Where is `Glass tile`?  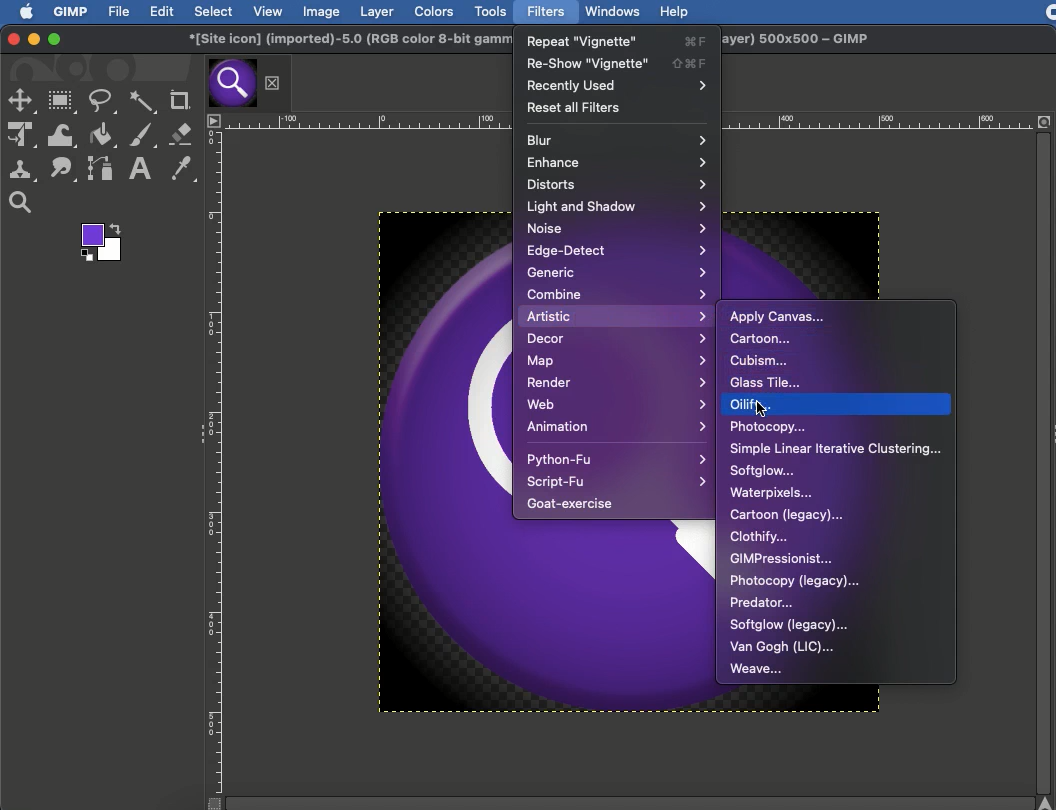
Glass tile is located at coordinates (768, 382).